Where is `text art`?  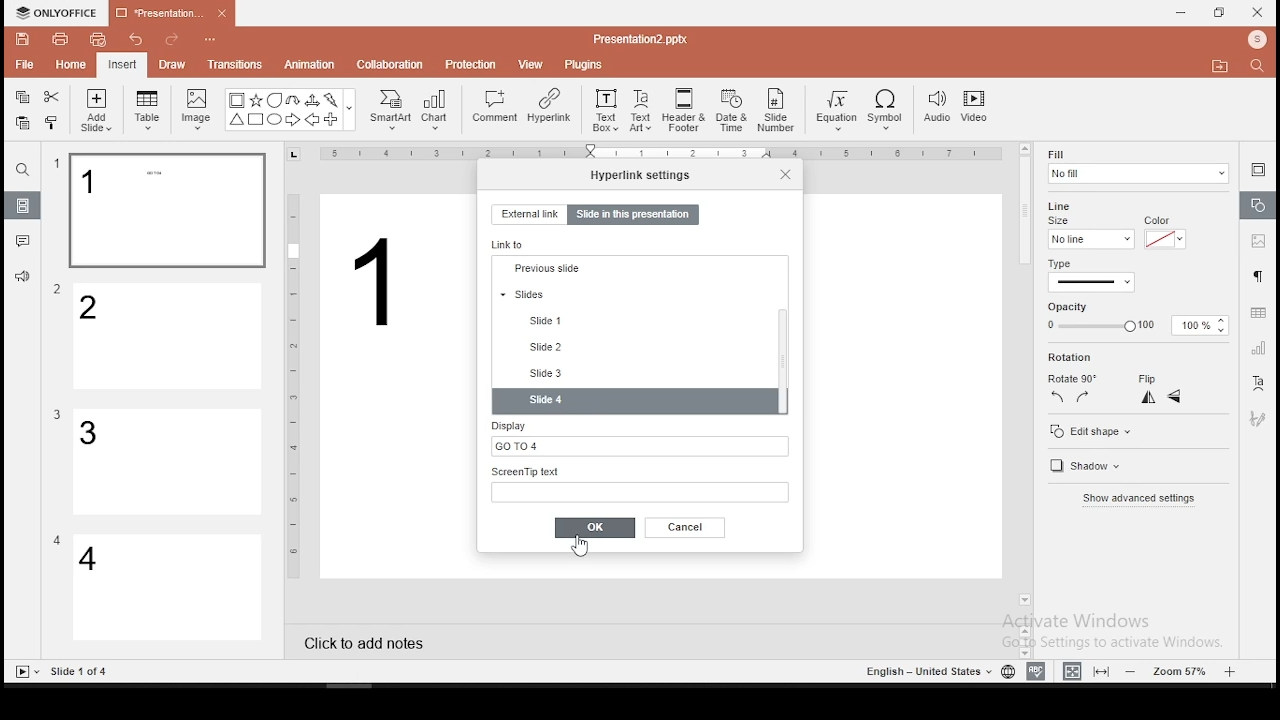
text art is located at coordinates (641, 109).